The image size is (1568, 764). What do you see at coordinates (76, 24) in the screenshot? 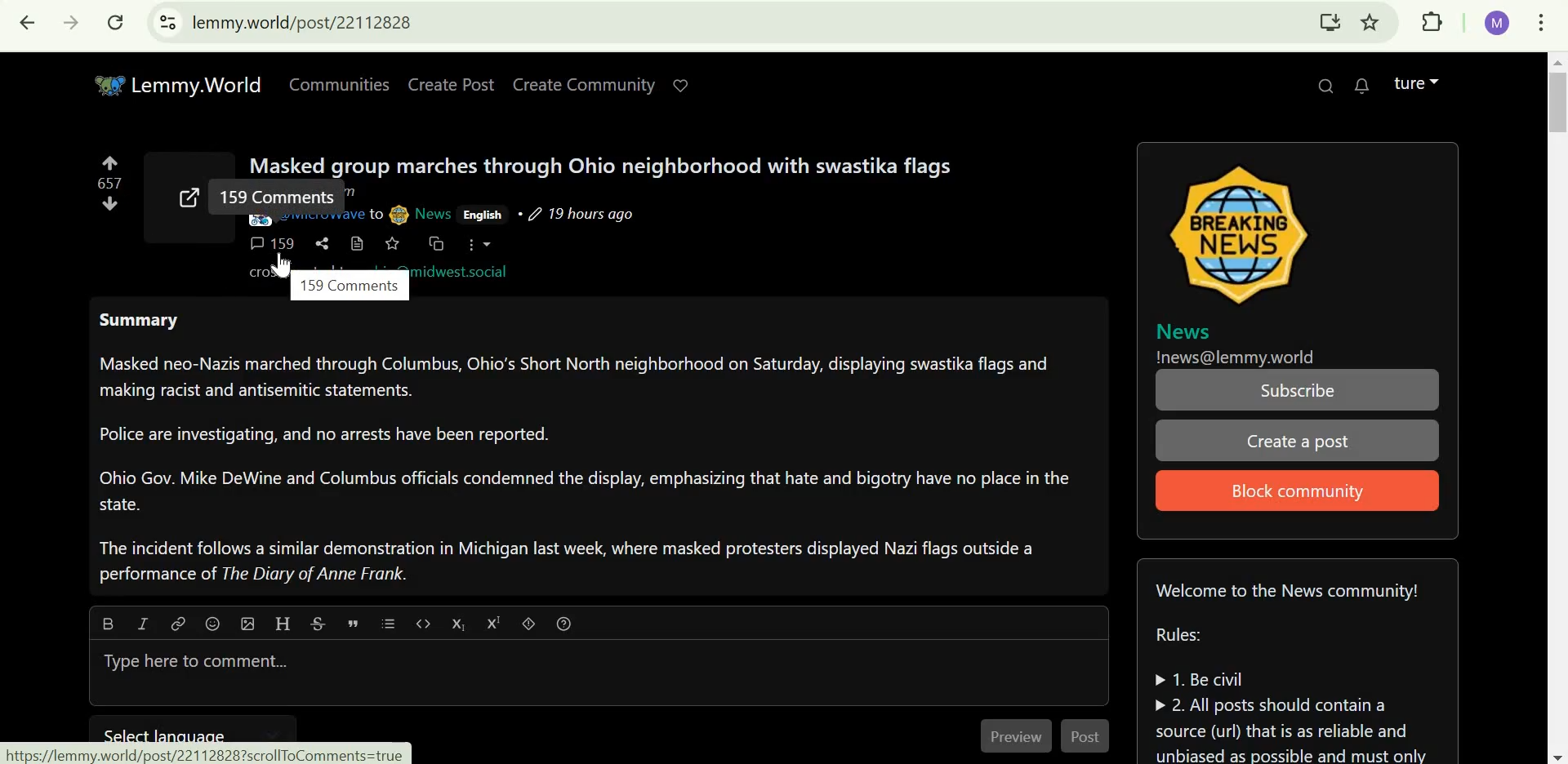
I see `Click to go forward, hold to see history` at bounding box center [76, 24].